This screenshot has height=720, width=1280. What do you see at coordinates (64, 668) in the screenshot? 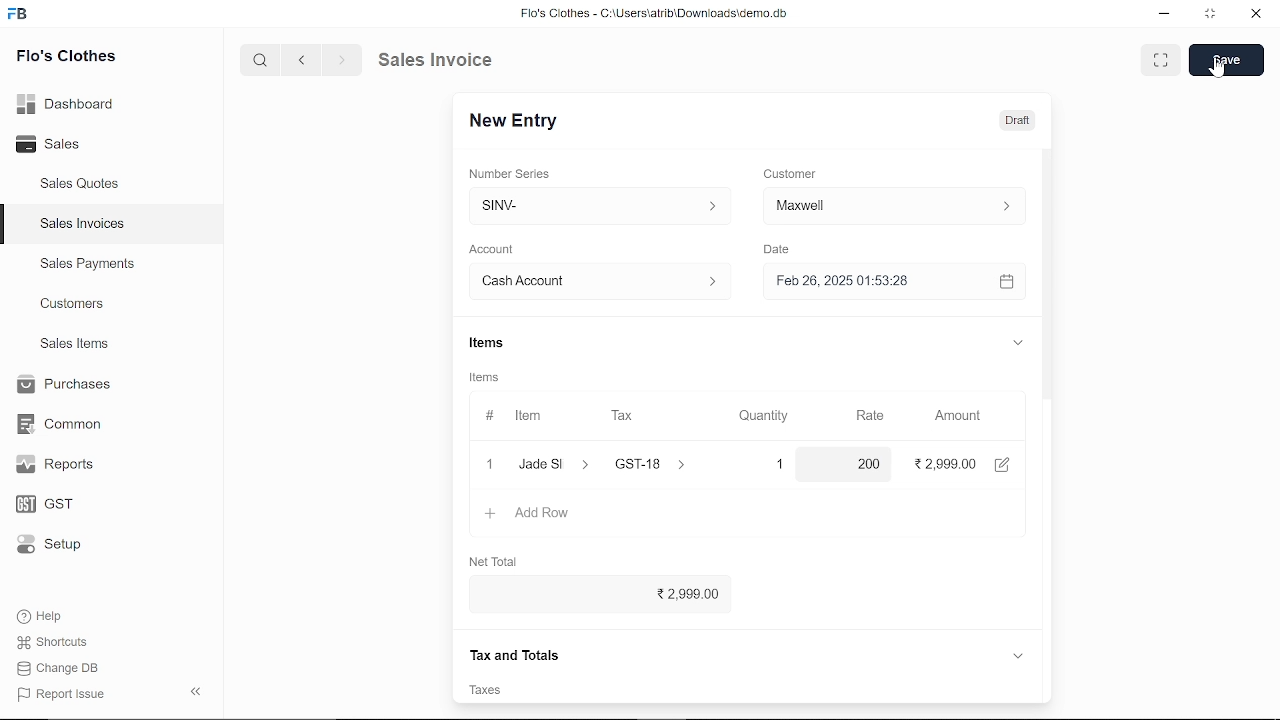
I see `Change DB` at bounding box center [64, 668].